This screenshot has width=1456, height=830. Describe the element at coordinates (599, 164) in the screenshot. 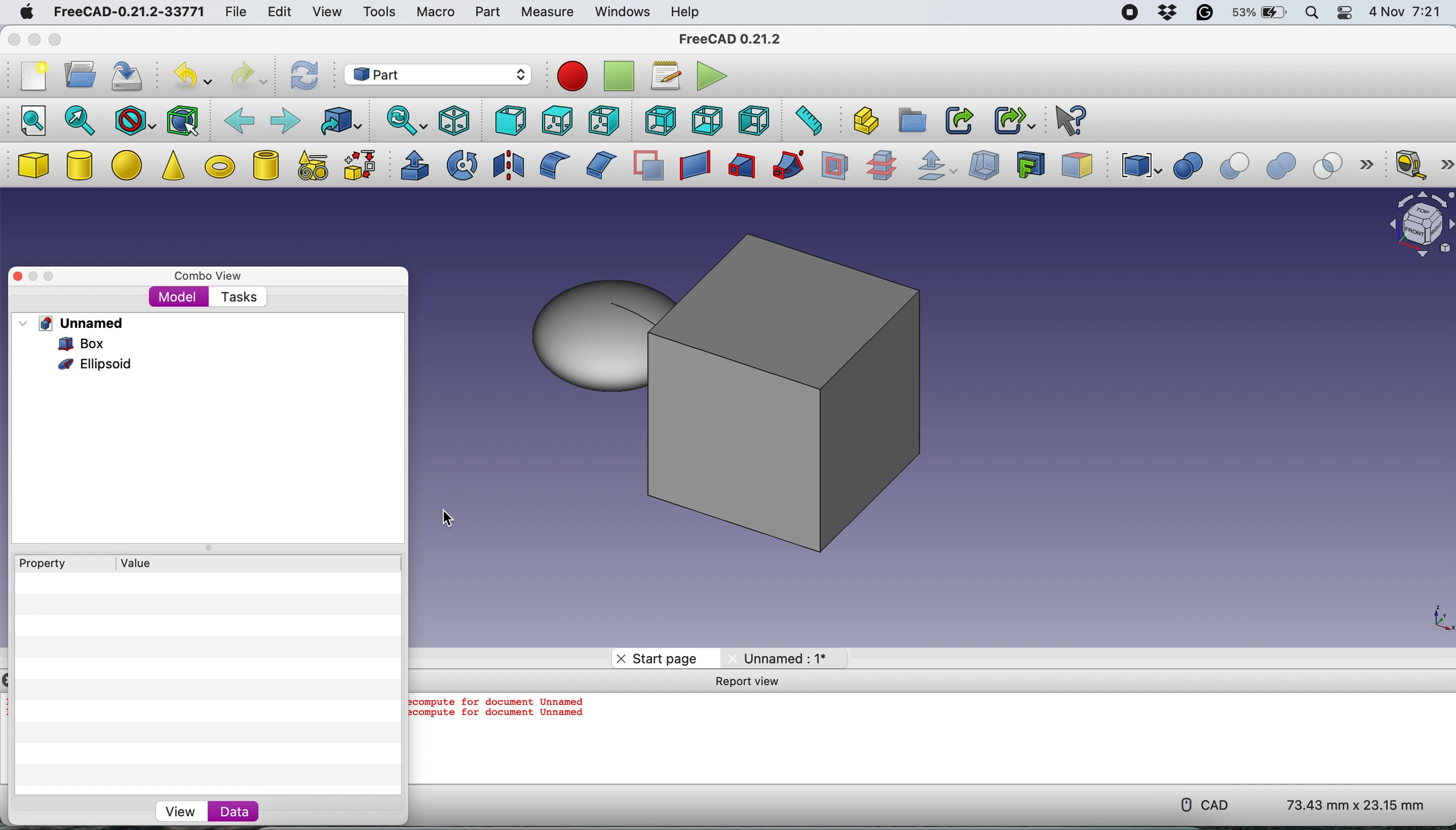

I see `chamfer` at that location.